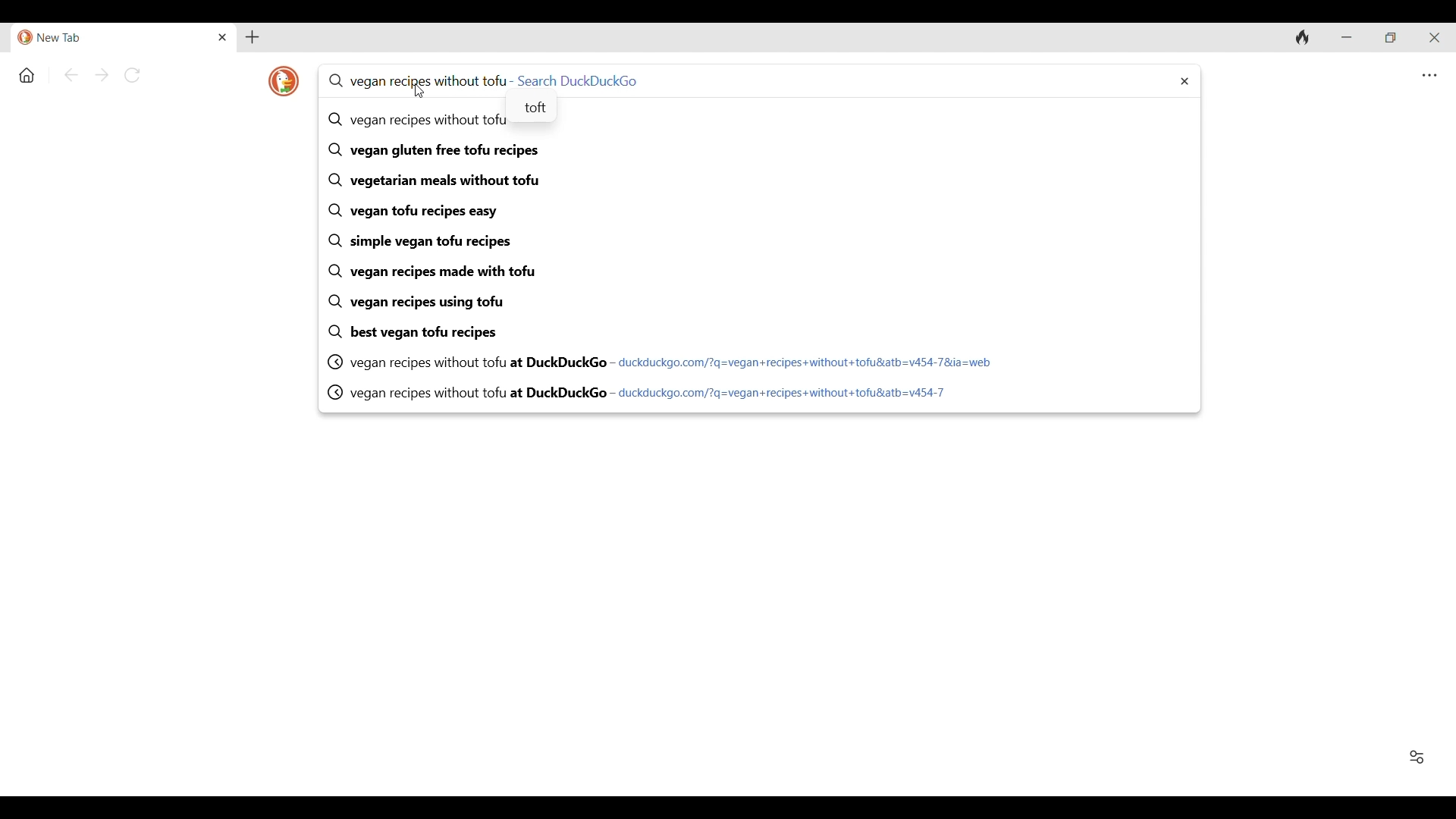 The image size is (1456, 819). What do you see at coordinates (133, 75) in the screenshot?
I see `Reload page` at bounding box center [133, 75].